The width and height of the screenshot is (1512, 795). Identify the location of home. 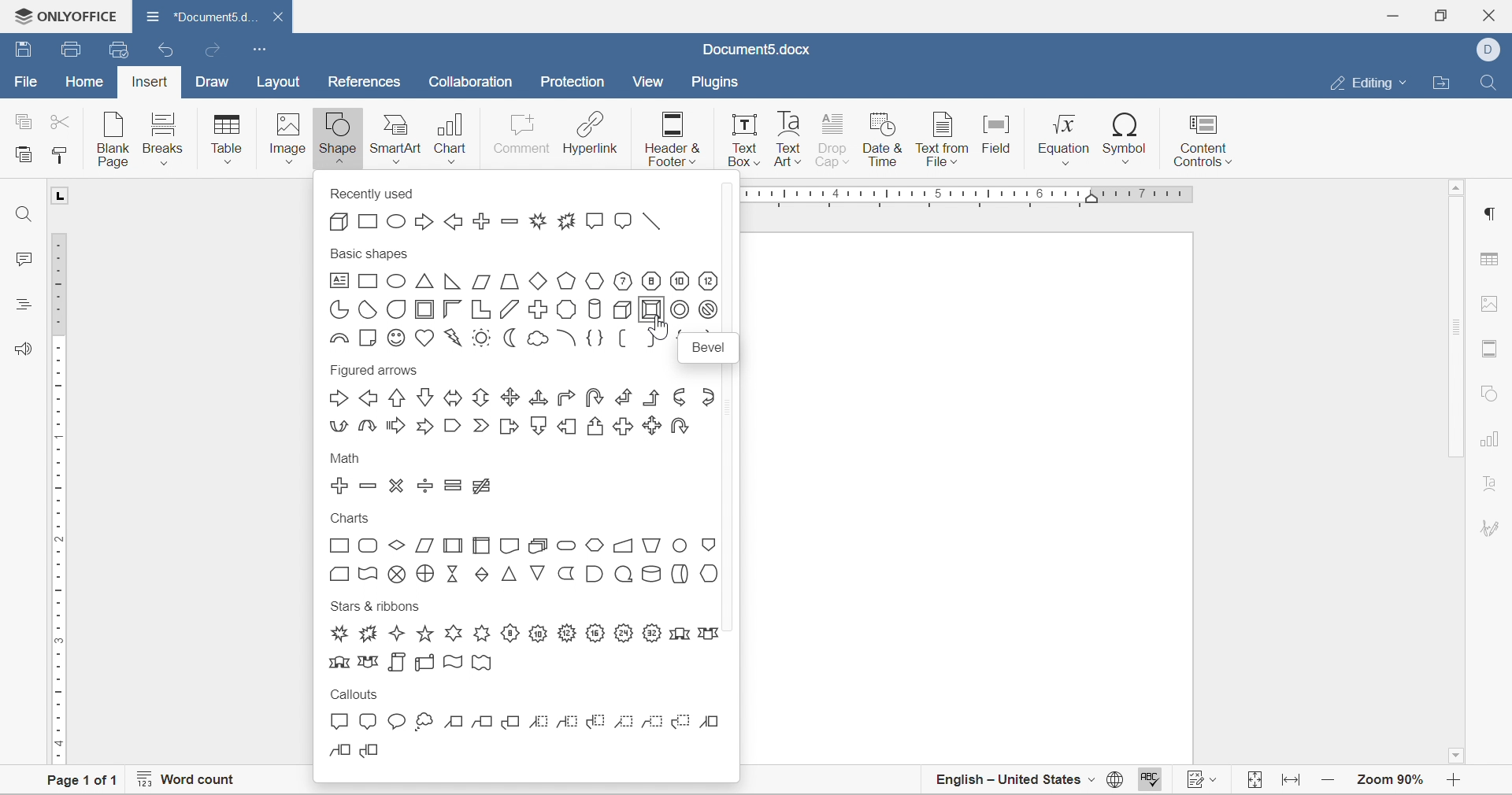
(83, 82).